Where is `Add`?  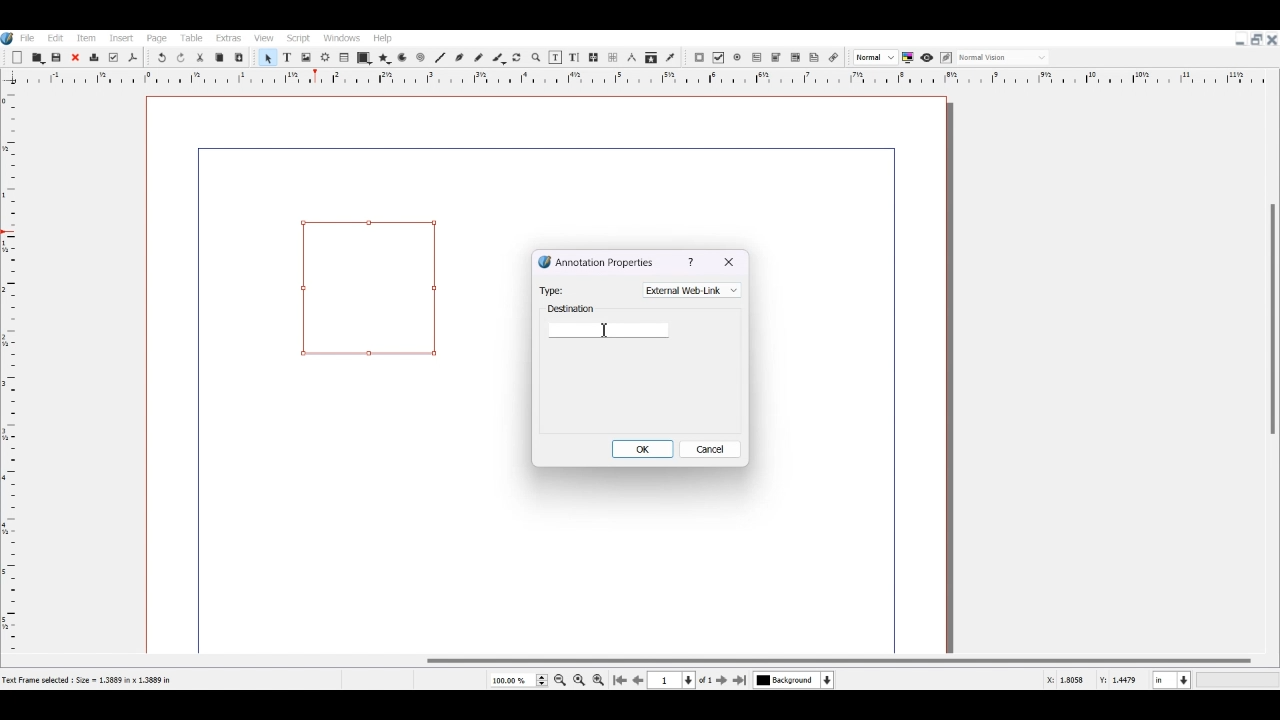 Add is located at coordinates (17, 58).